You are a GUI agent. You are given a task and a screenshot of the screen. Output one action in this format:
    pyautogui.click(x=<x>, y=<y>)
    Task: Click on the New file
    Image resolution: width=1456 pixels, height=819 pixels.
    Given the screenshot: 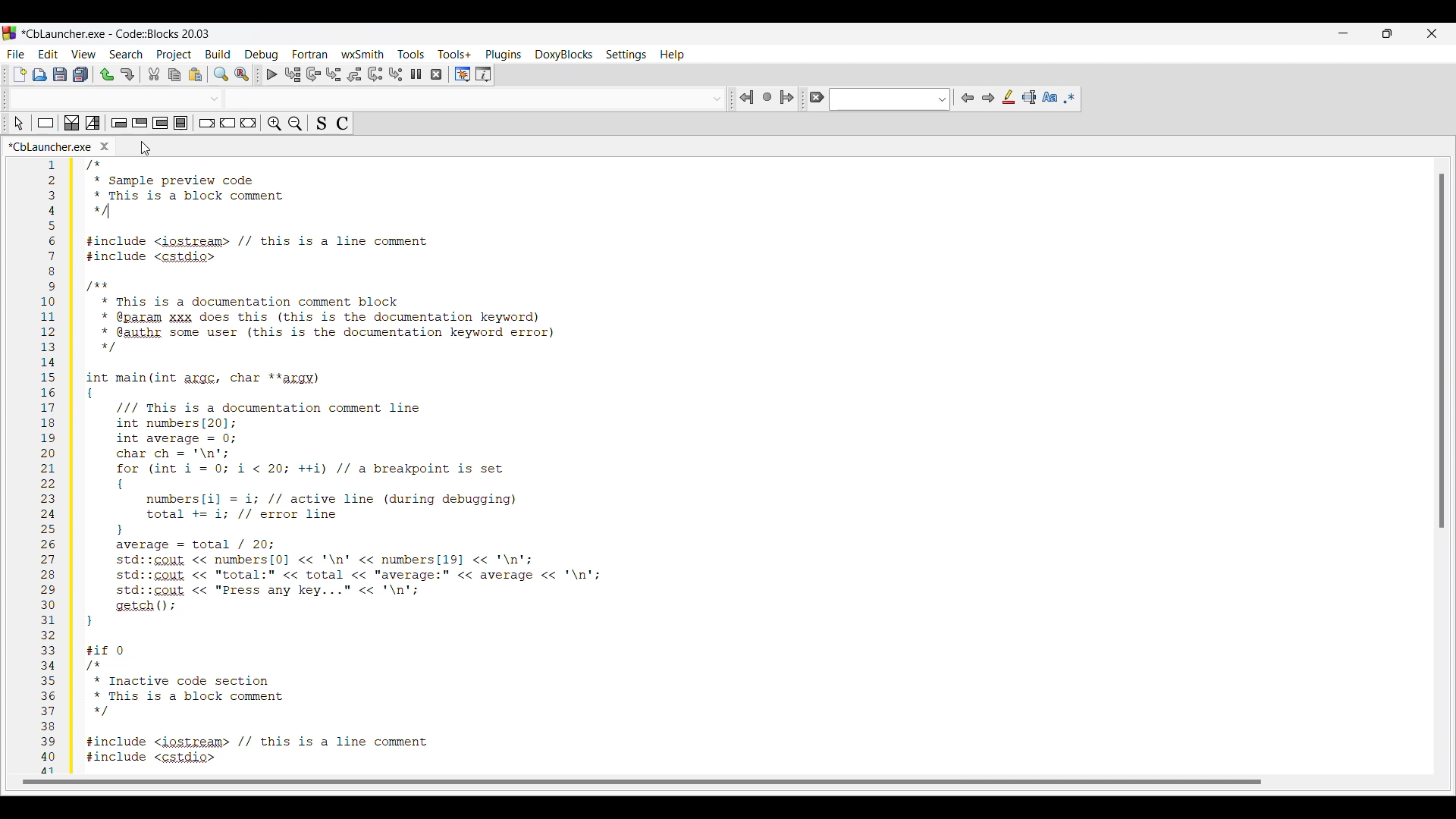 What is the action you would take?
    pyautogui.click(x=20, y=74)
    